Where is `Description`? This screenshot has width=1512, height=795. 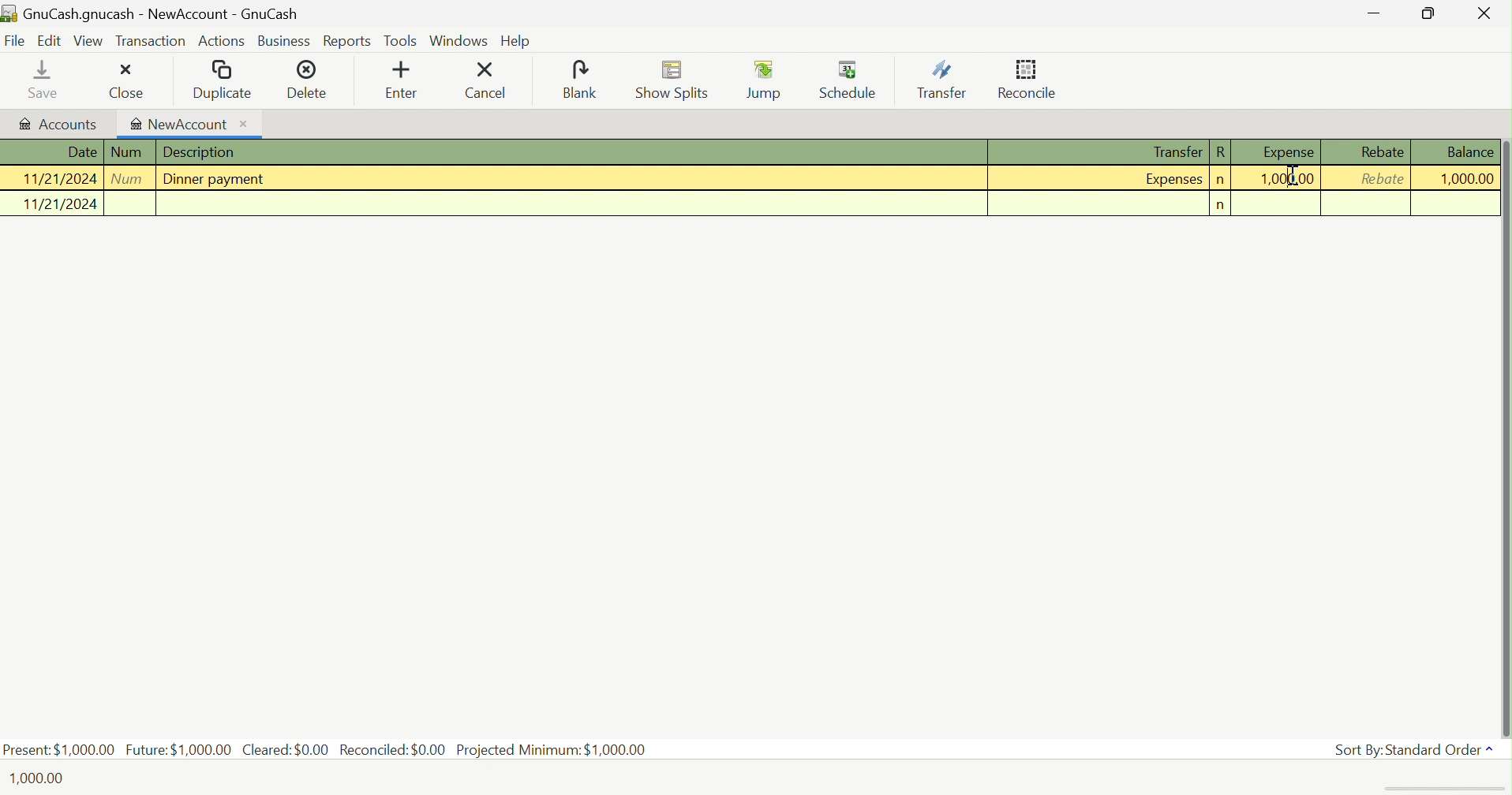 Description is located at coordinates (202, 151).